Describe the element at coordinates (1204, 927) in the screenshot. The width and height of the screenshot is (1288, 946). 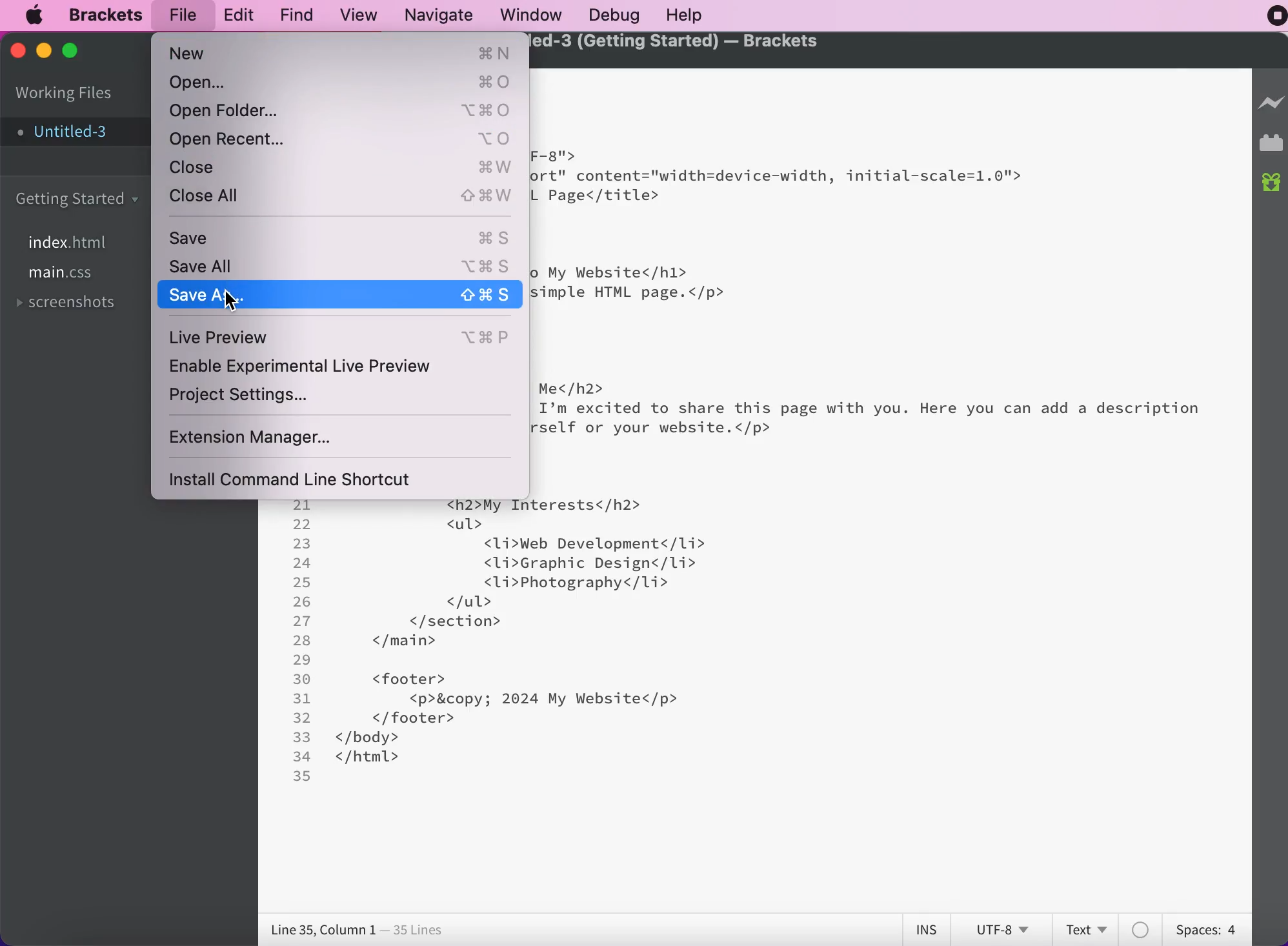
I see `spaces:4` at that location.